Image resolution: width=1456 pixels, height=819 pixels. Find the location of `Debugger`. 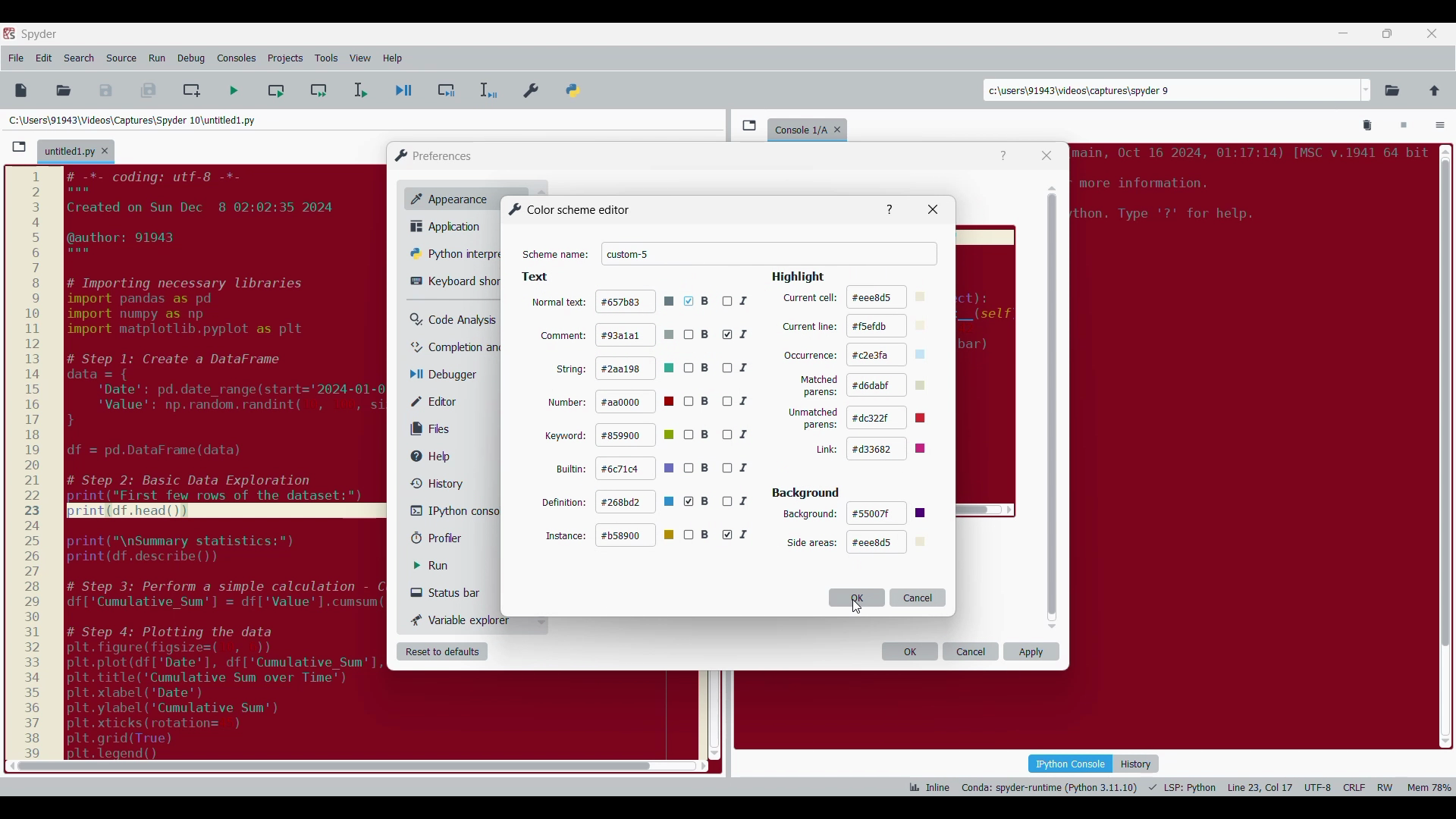

Debugger is located at coordinates (450, 375).